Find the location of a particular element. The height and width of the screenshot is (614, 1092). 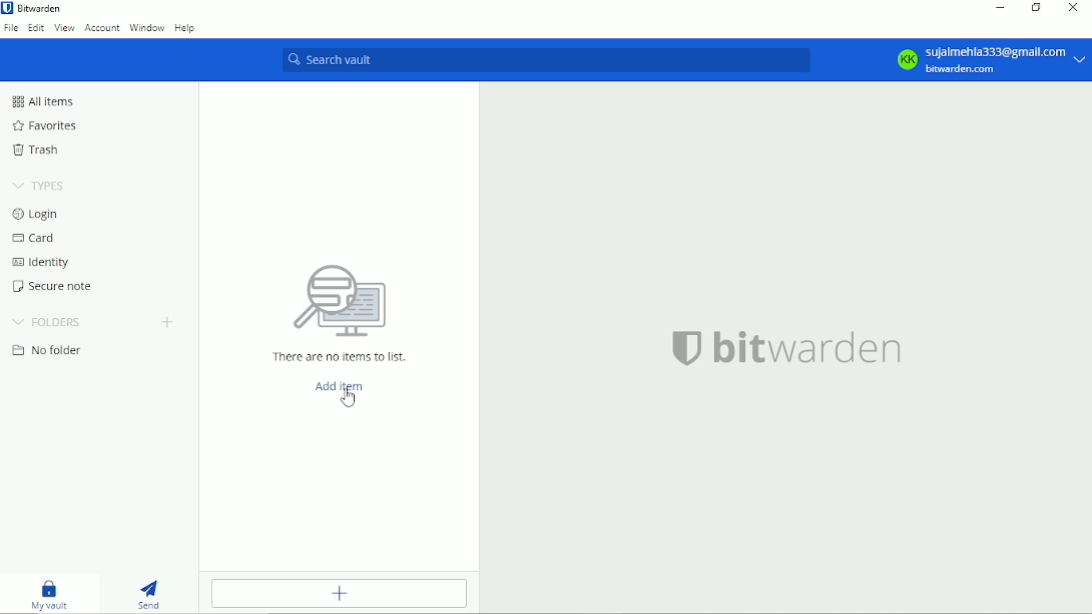

Add item is located at coordinates (339, 386).